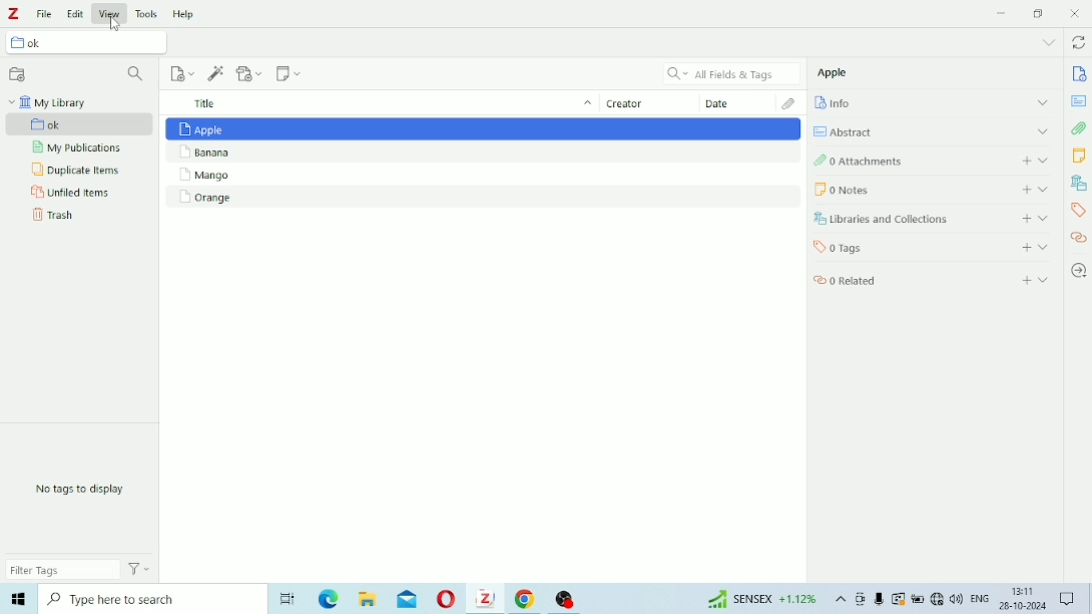  I want to click on My Publications, so click(80, 149).